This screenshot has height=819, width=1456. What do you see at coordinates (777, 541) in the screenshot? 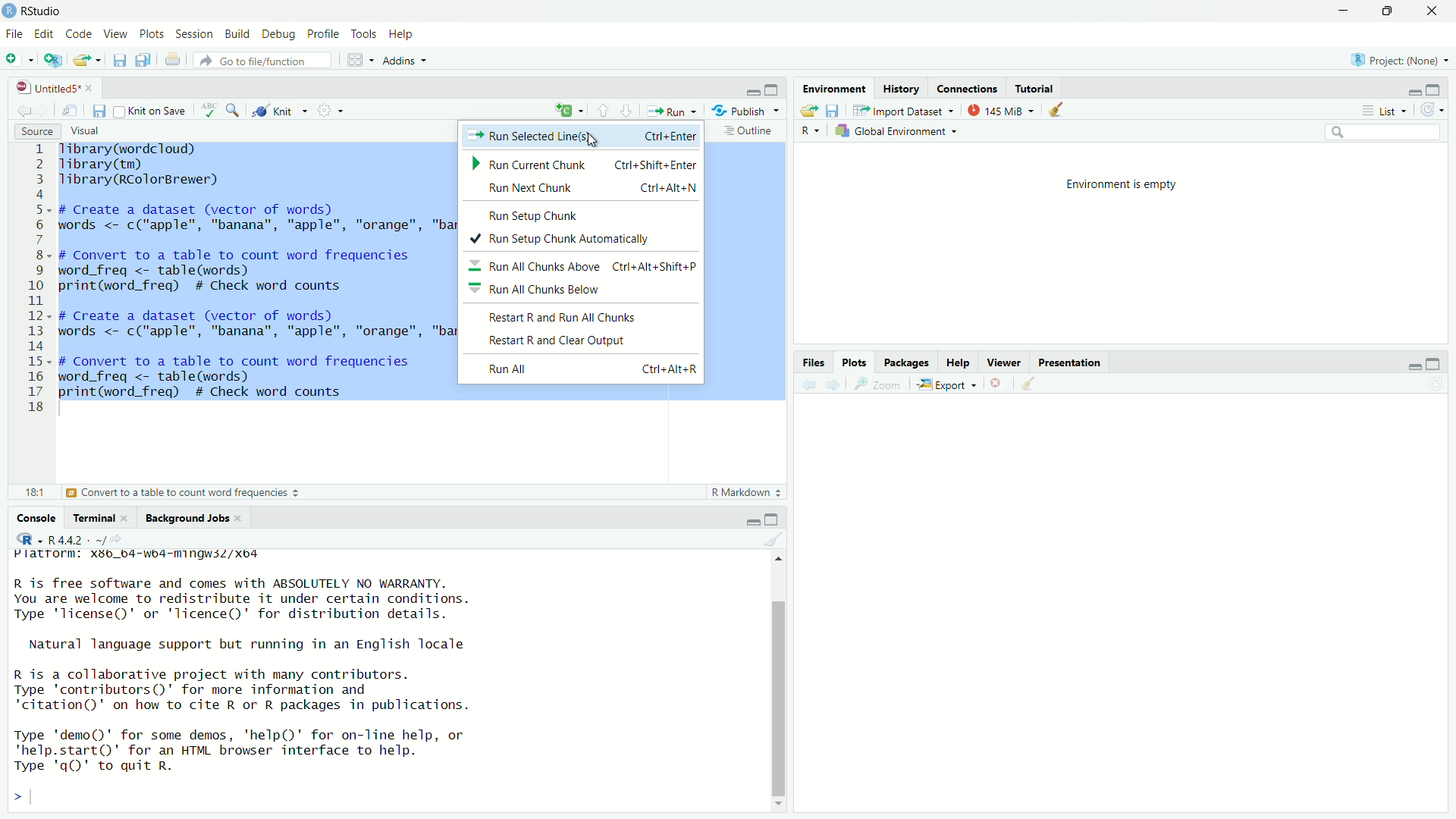
I see `Clear console` at bounding box center [777, 541].